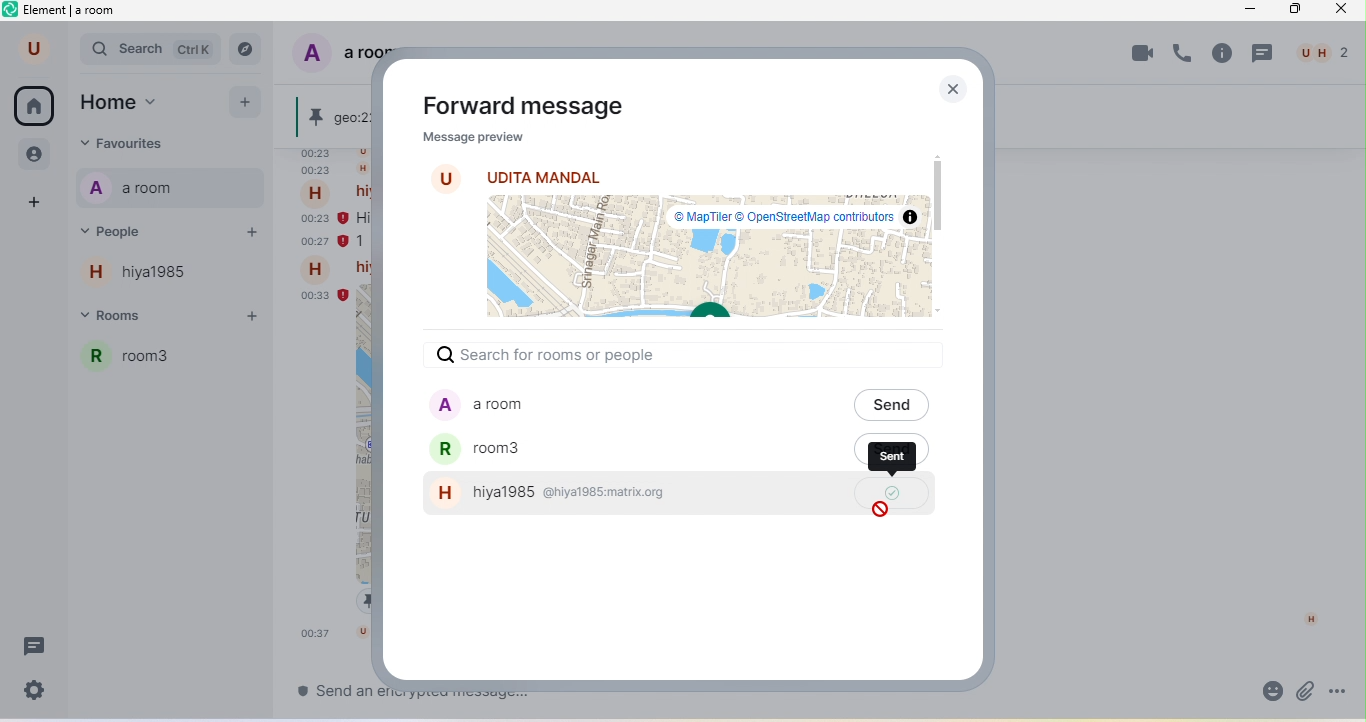  Describe the element at coordinates (1185, 56) in the screenshot. I see `voice call` at that location.